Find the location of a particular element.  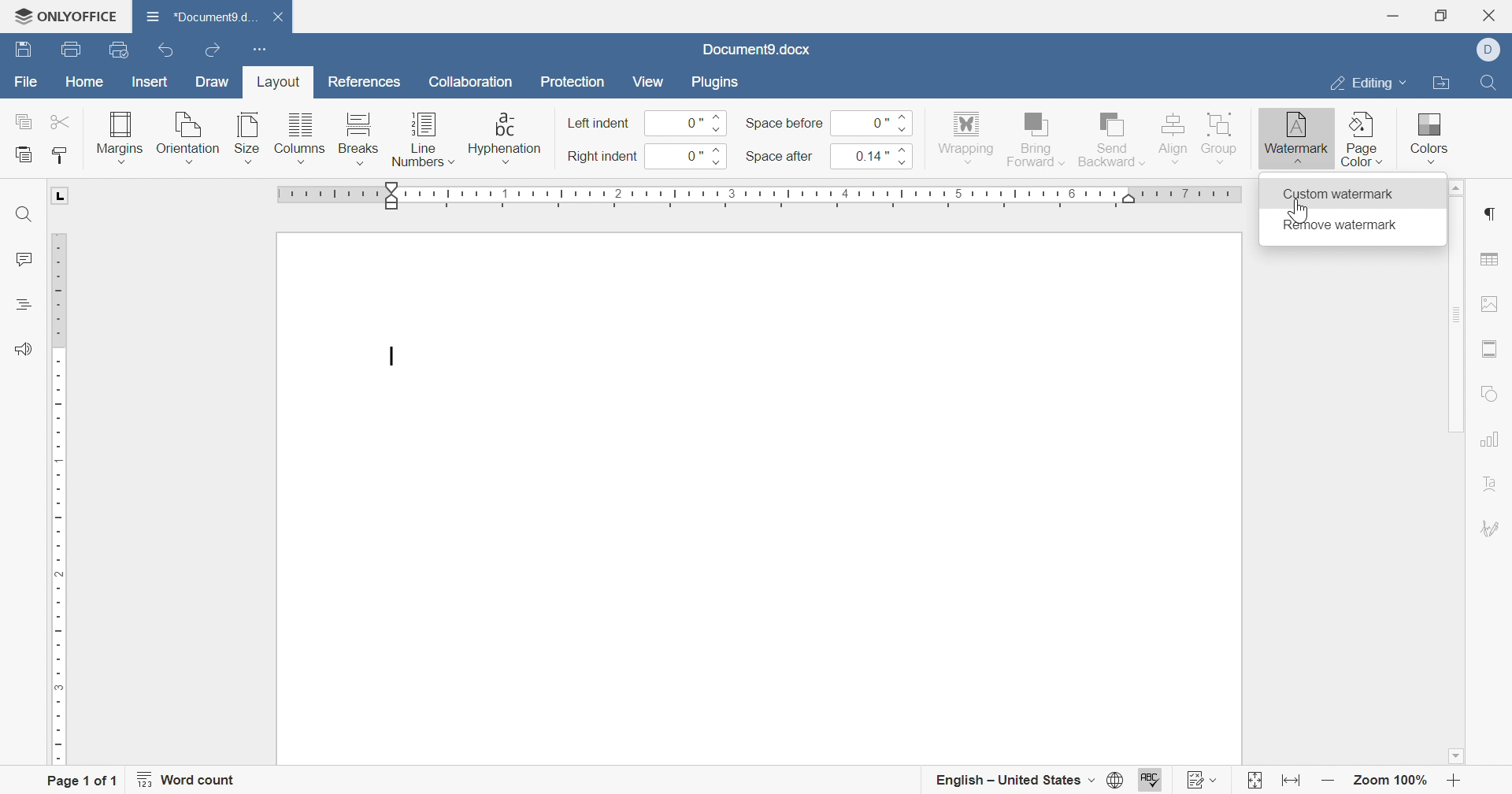

wrapping is located at coordinates (965, 139).